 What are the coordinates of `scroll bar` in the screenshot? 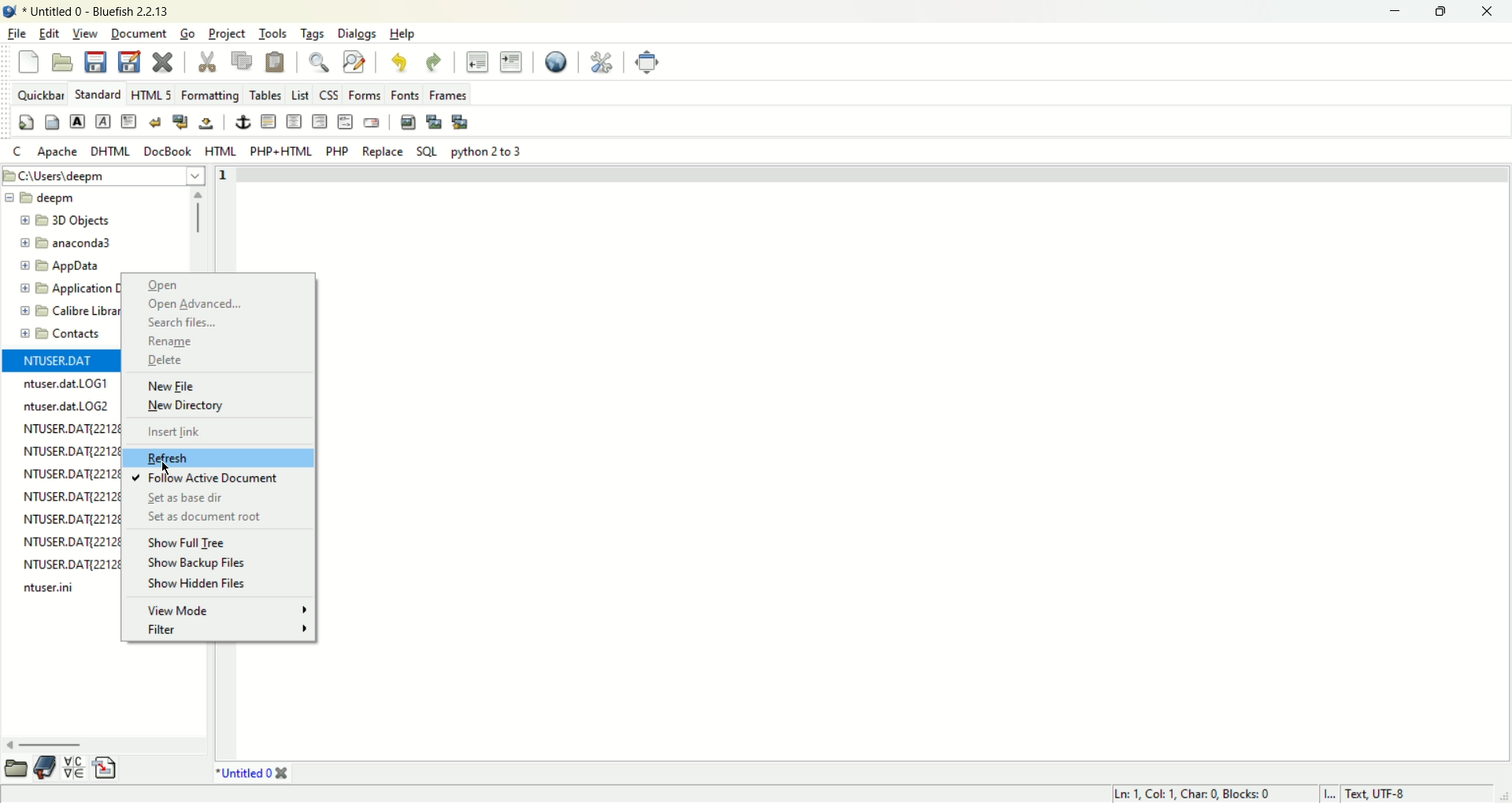 It's located at (104, 747).